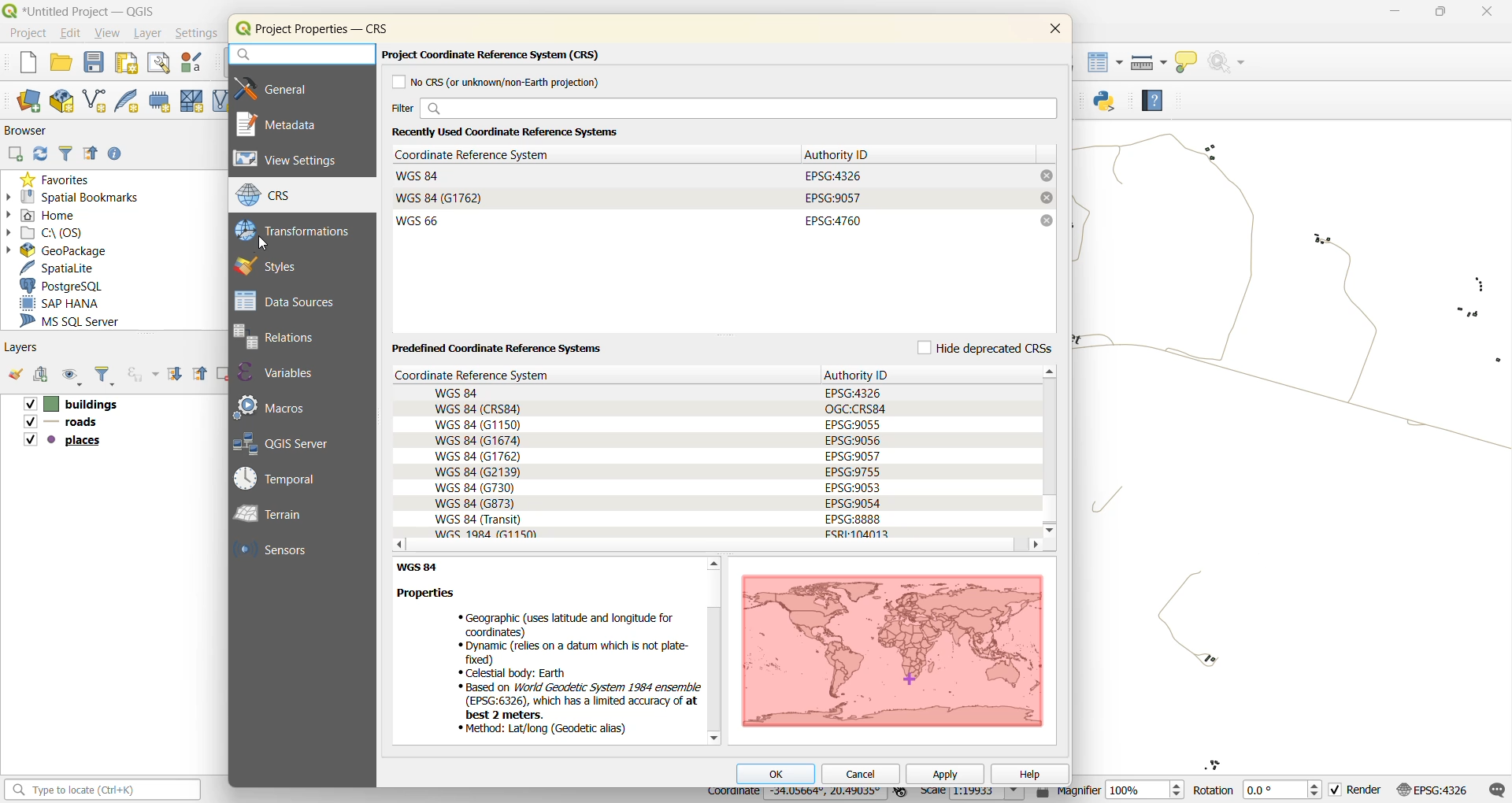 The width and height of the screenshot is (1512, 803). Describe the element at coordinates (1186, 64) in the screenshot. I see `show tips` at that location.